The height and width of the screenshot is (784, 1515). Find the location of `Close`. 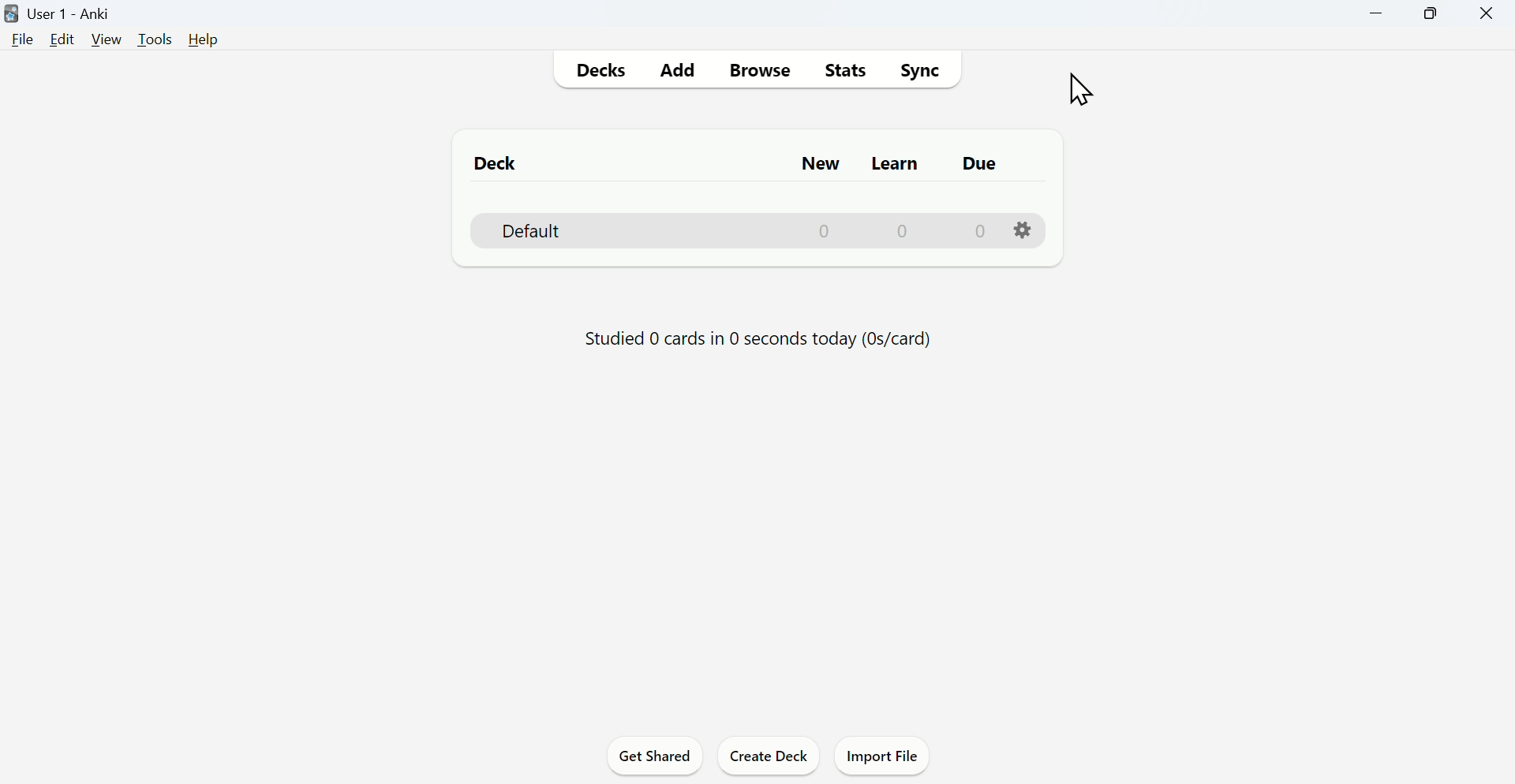

Close is located at coordinates (1486, 14).